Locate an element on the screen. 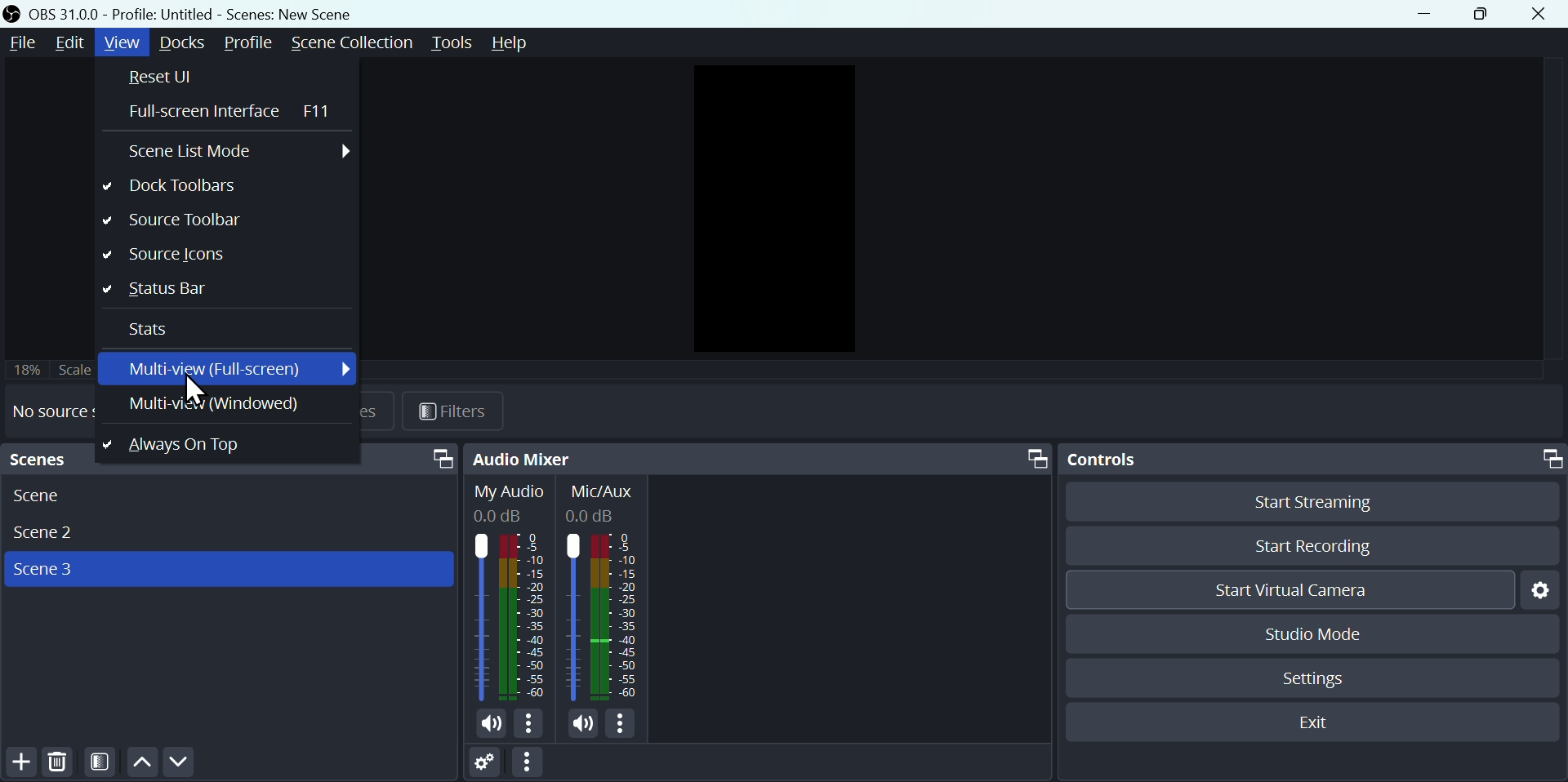 The width and height of the screenshot is (1568, 782). Full screen interface is located at coordinates (223, 109).